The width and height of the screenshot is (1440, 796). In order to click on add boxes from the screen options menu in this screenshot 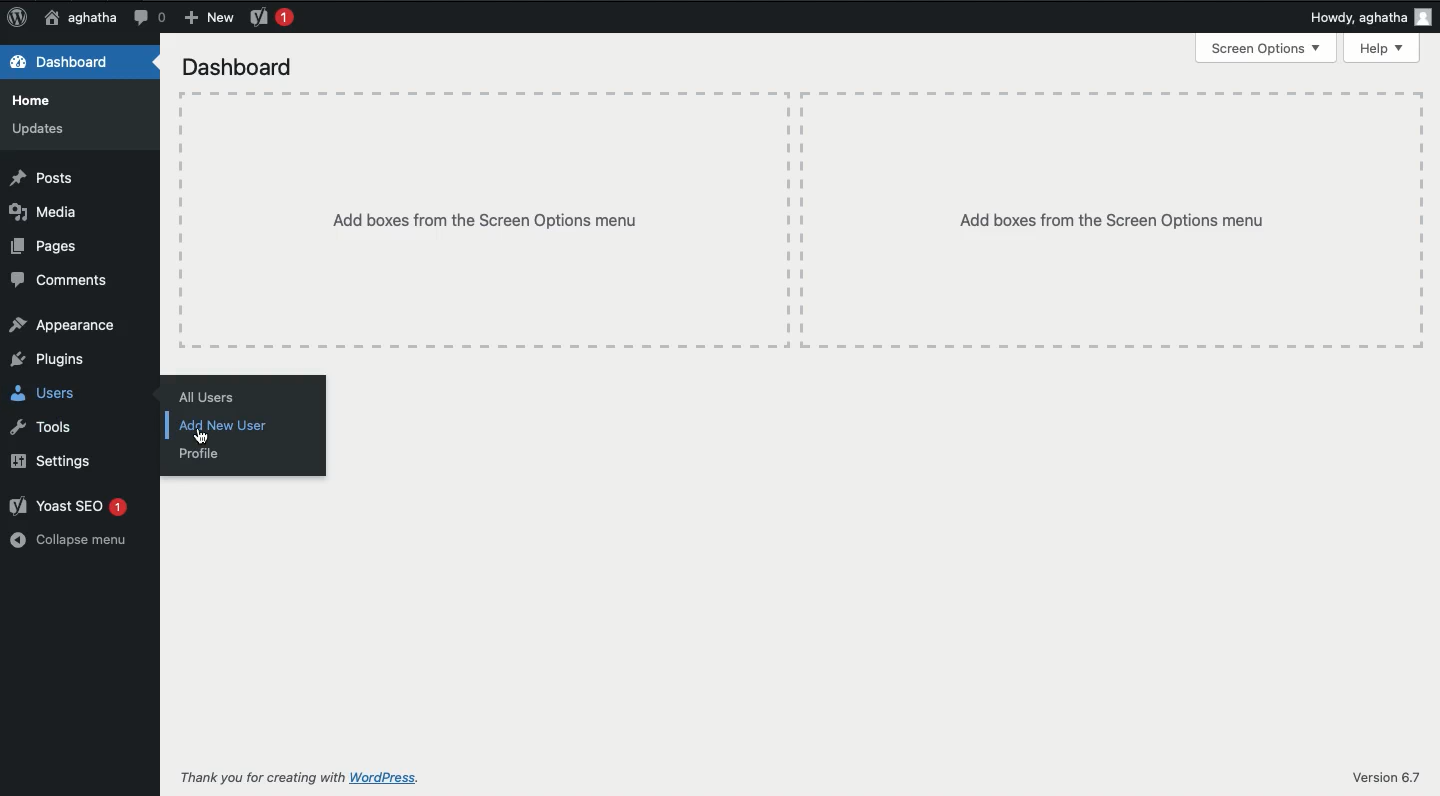, I will do `click(1110, 219)`.